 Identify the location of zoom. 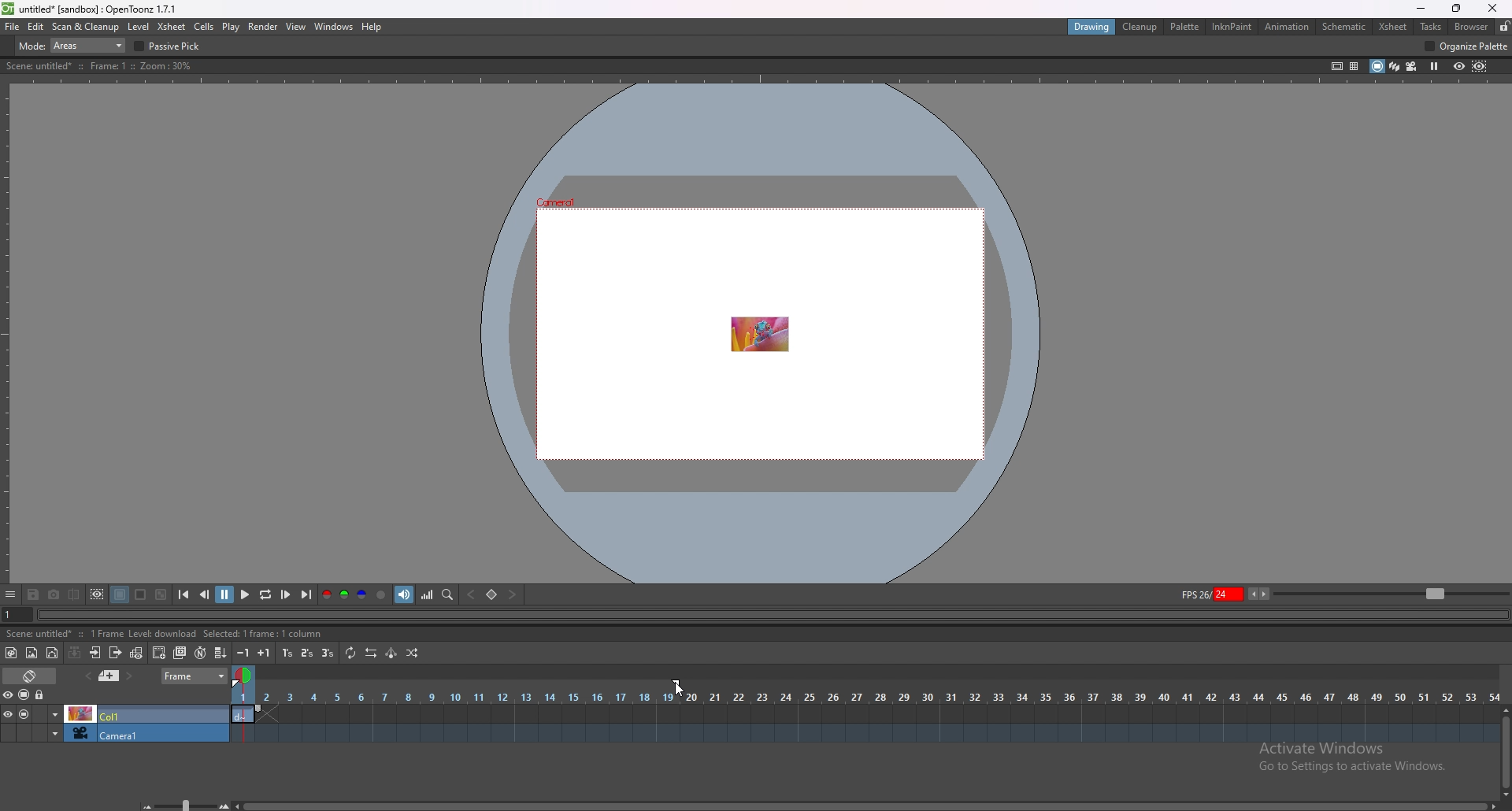
(180, 803).